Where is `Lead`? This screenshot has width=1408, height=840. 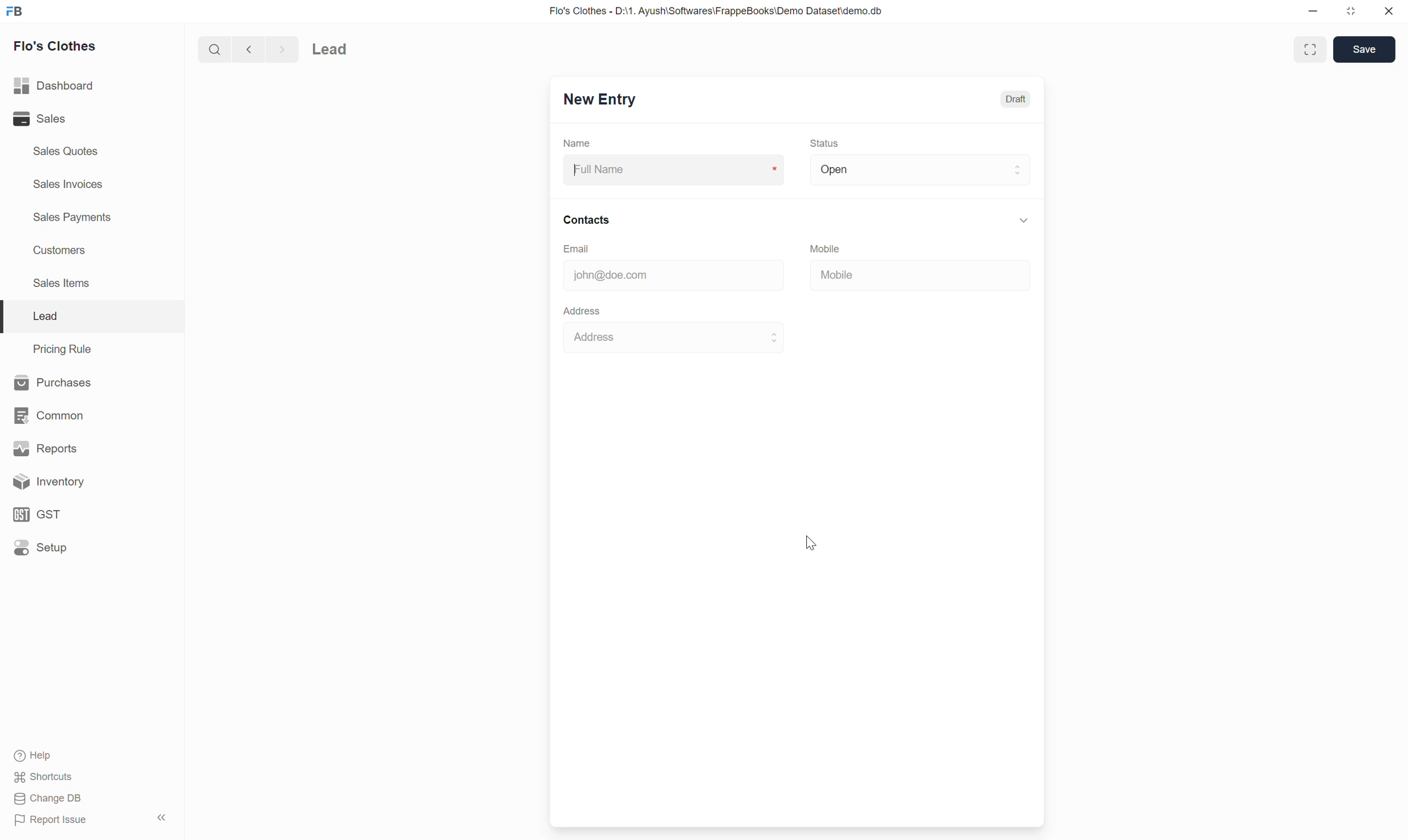
Lead is located at coordinates (346, 48).